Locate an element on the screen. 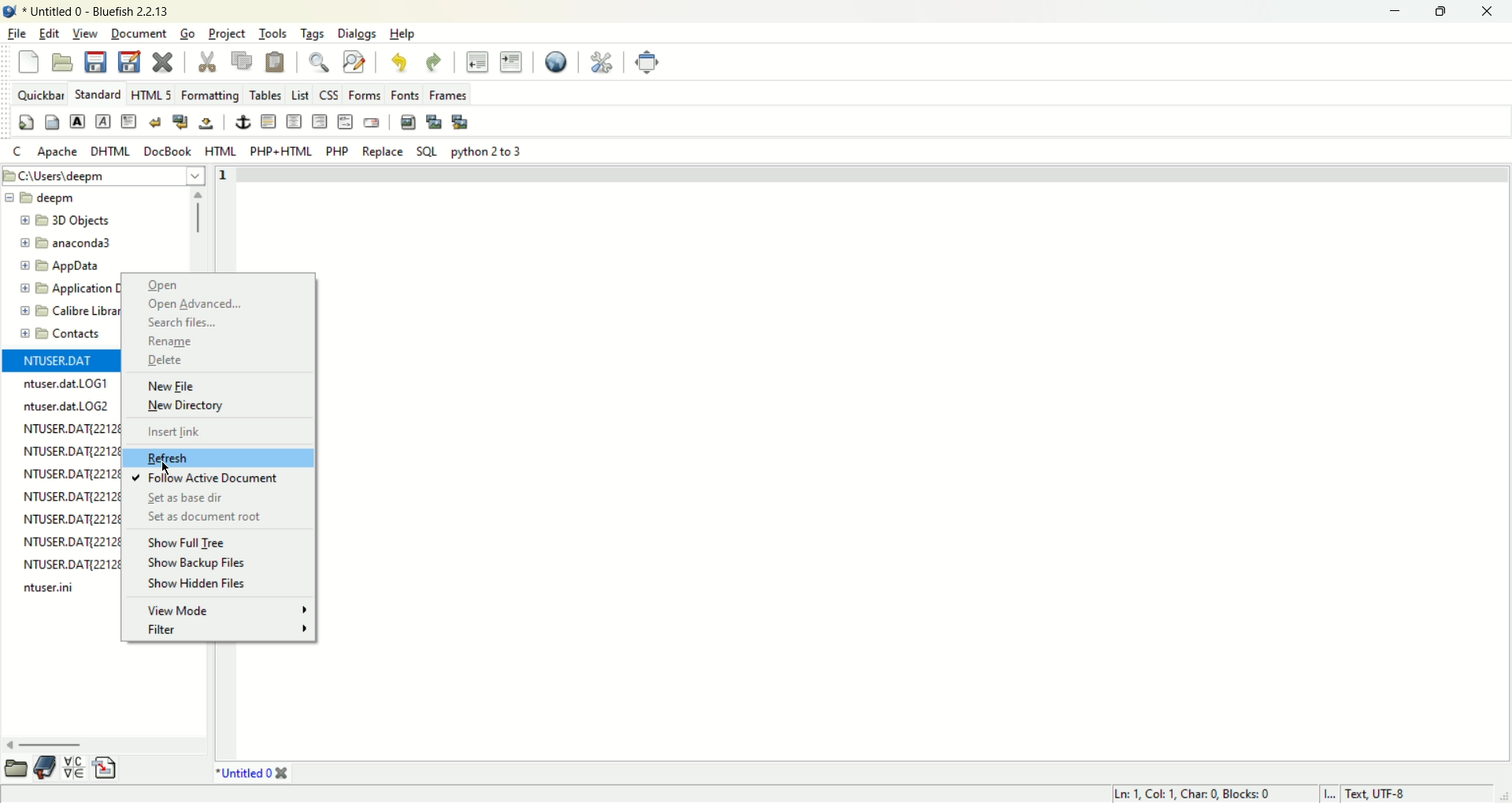  open is located at coordinates (170, 287).